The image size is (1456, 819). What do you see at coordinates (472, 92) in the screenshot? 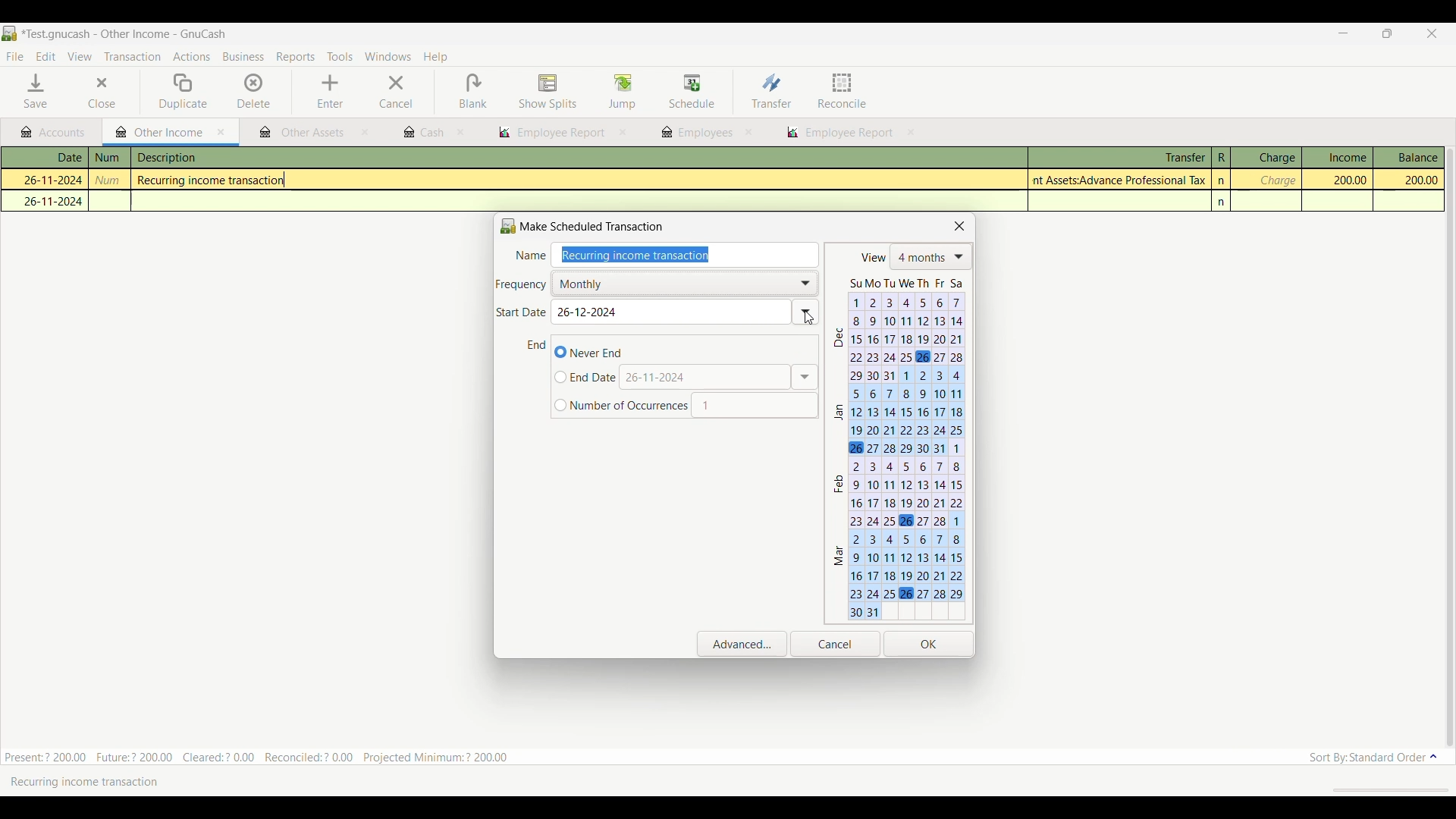
I see `Blank` at bounding box center [472, 92].